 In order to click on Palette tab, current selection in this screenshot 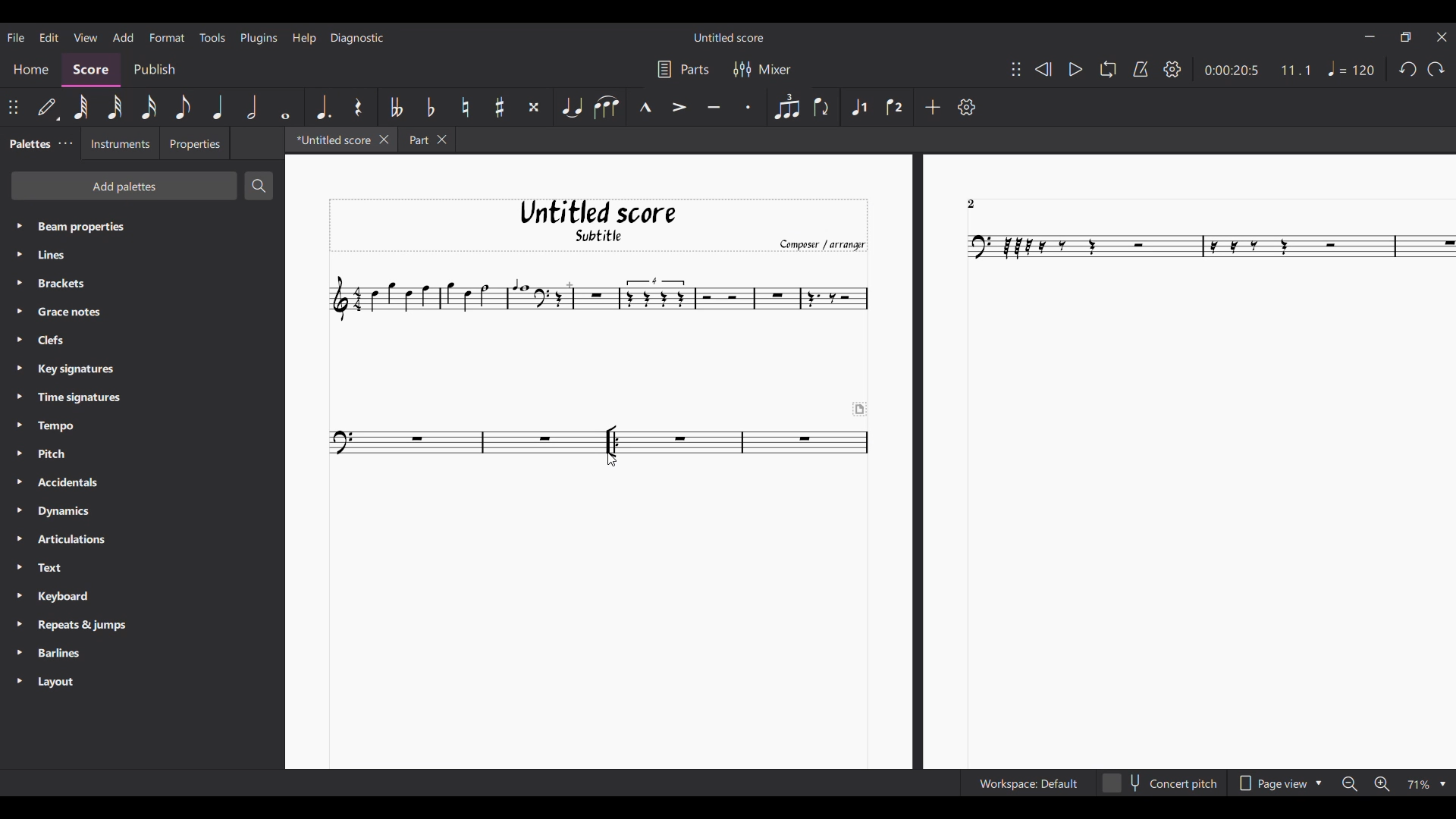, I will do `click(27, 144)`.